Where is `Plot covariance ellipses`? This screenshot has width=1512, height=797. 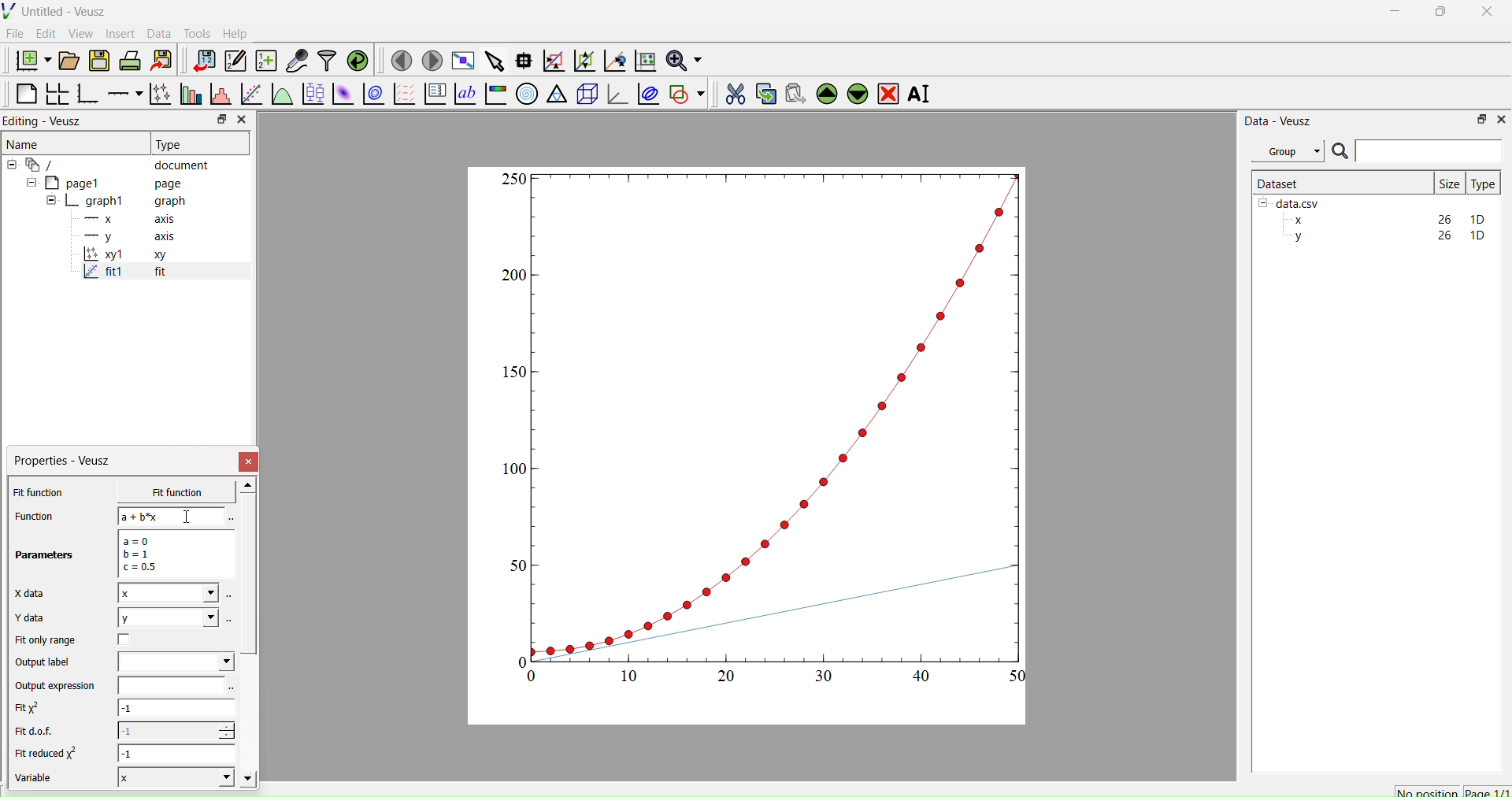
Plot covariance ellipses is located at coordinates (647, 93).